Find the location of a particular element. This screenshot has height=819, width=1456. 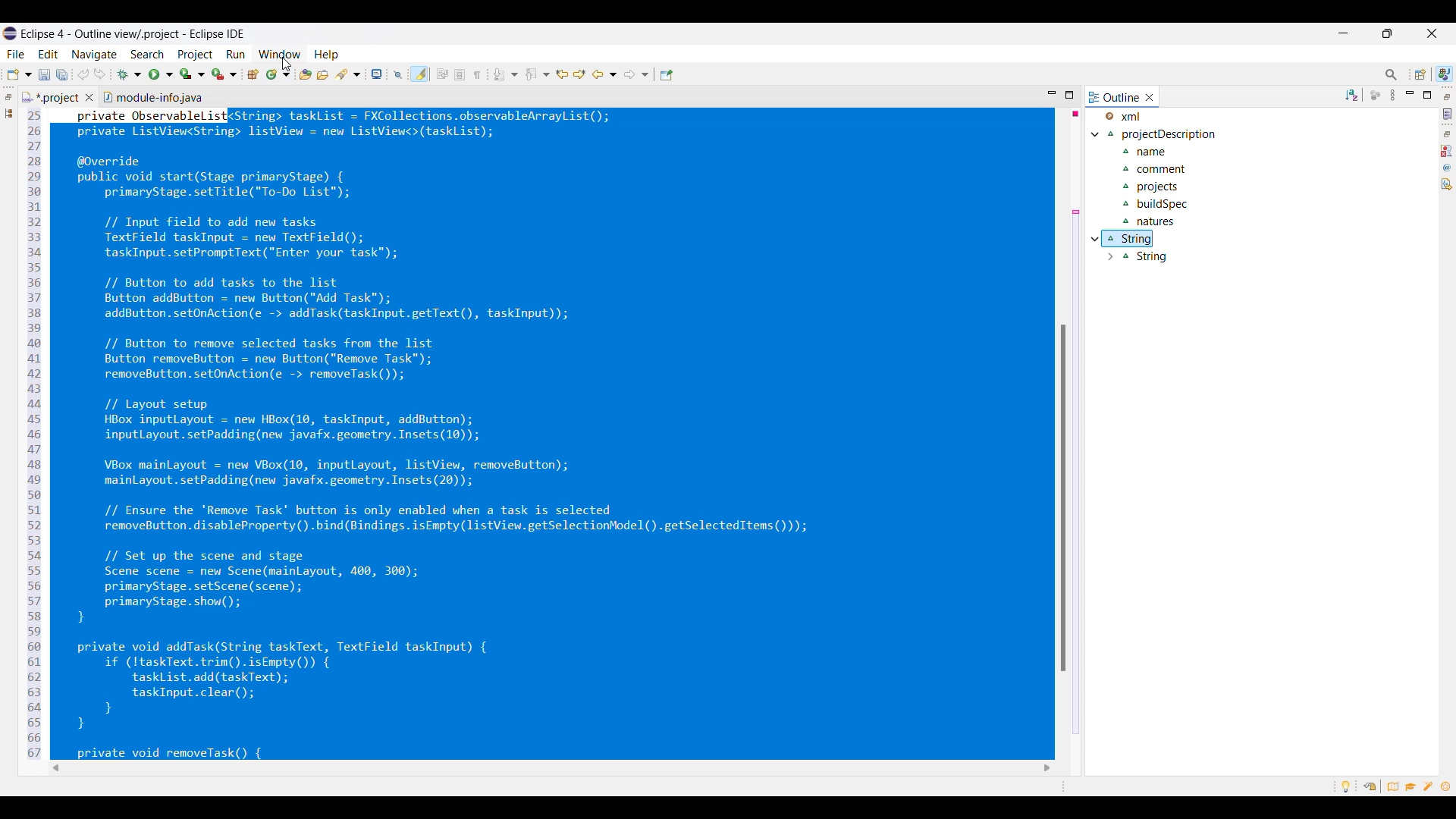

Save is located at coordinates (44, 74).